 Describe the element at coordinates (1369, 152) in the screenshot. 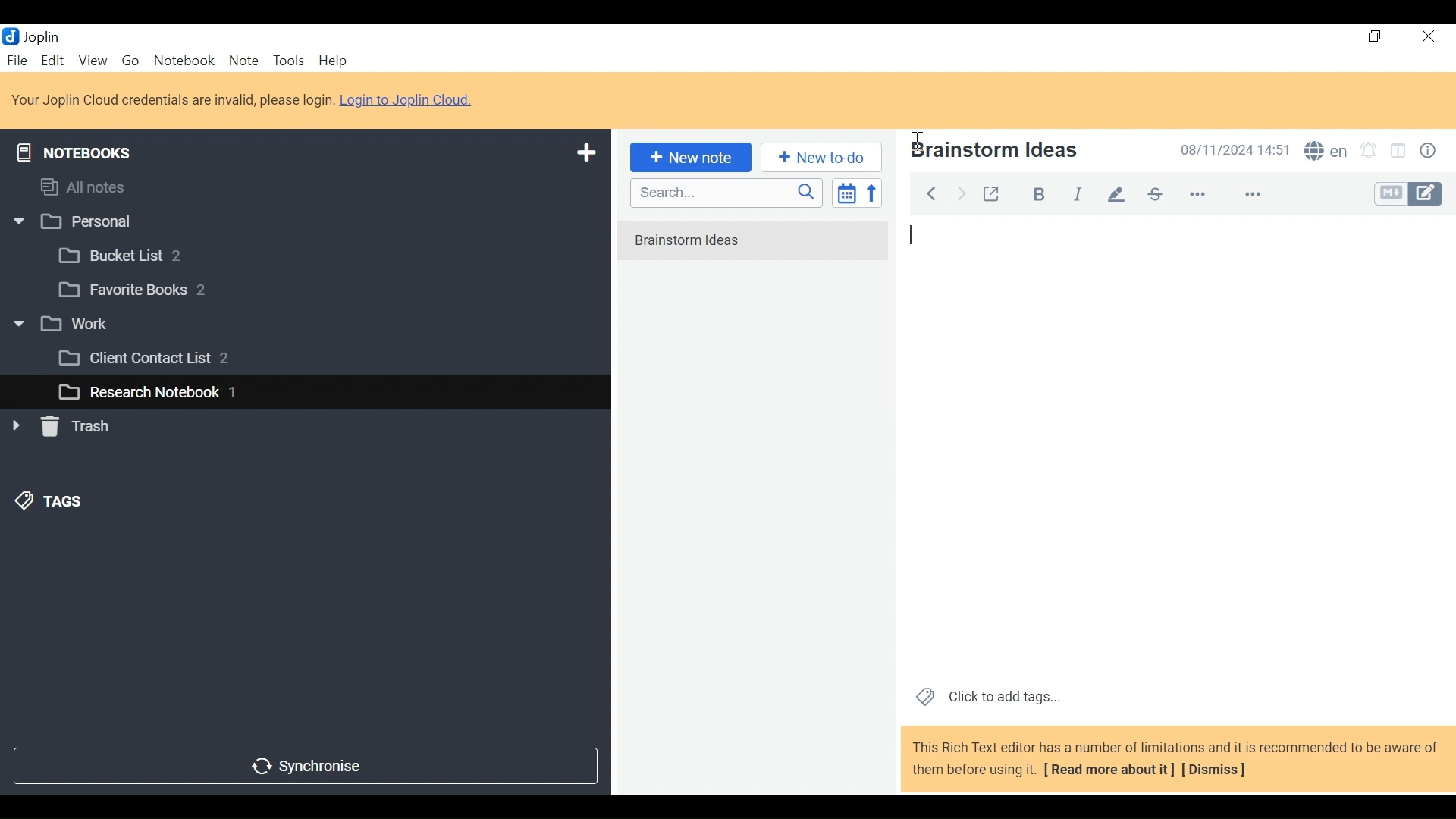

I see `Set alarm` at that location.